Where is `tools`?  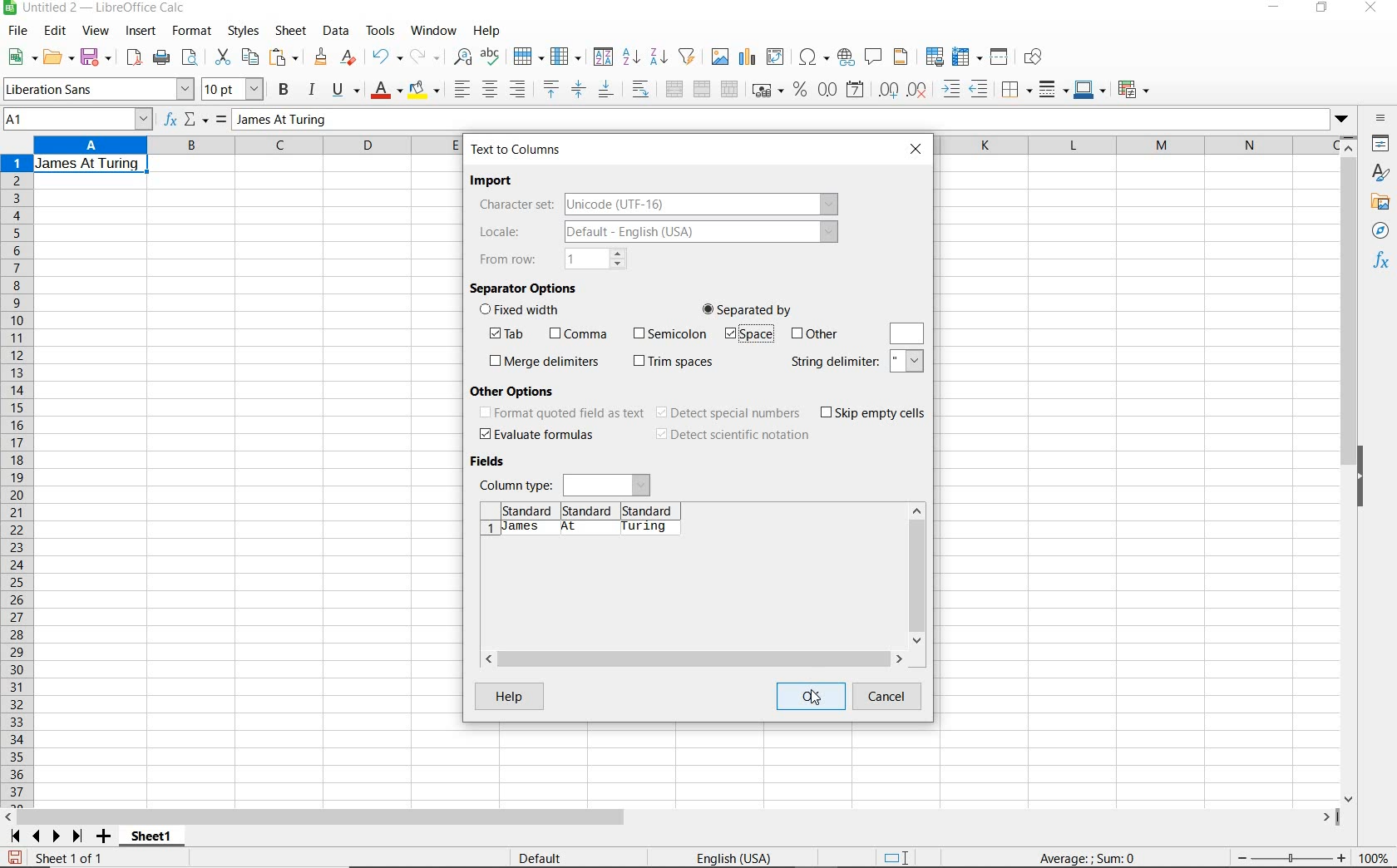
tools is located at coordinates (381, 30).